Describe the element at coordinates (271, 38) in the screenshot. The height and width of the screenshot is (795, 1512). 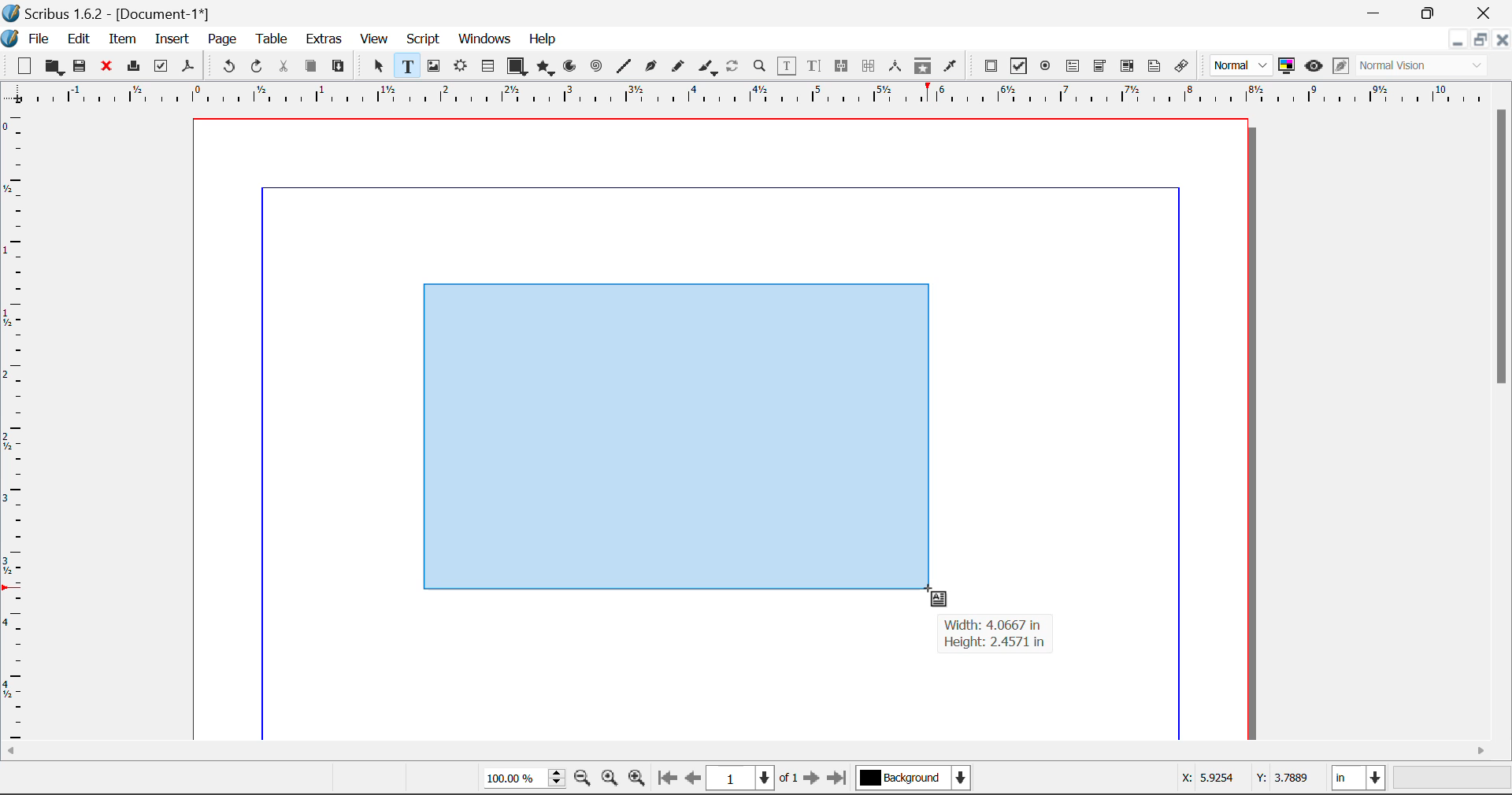
I see `Table` at that location.